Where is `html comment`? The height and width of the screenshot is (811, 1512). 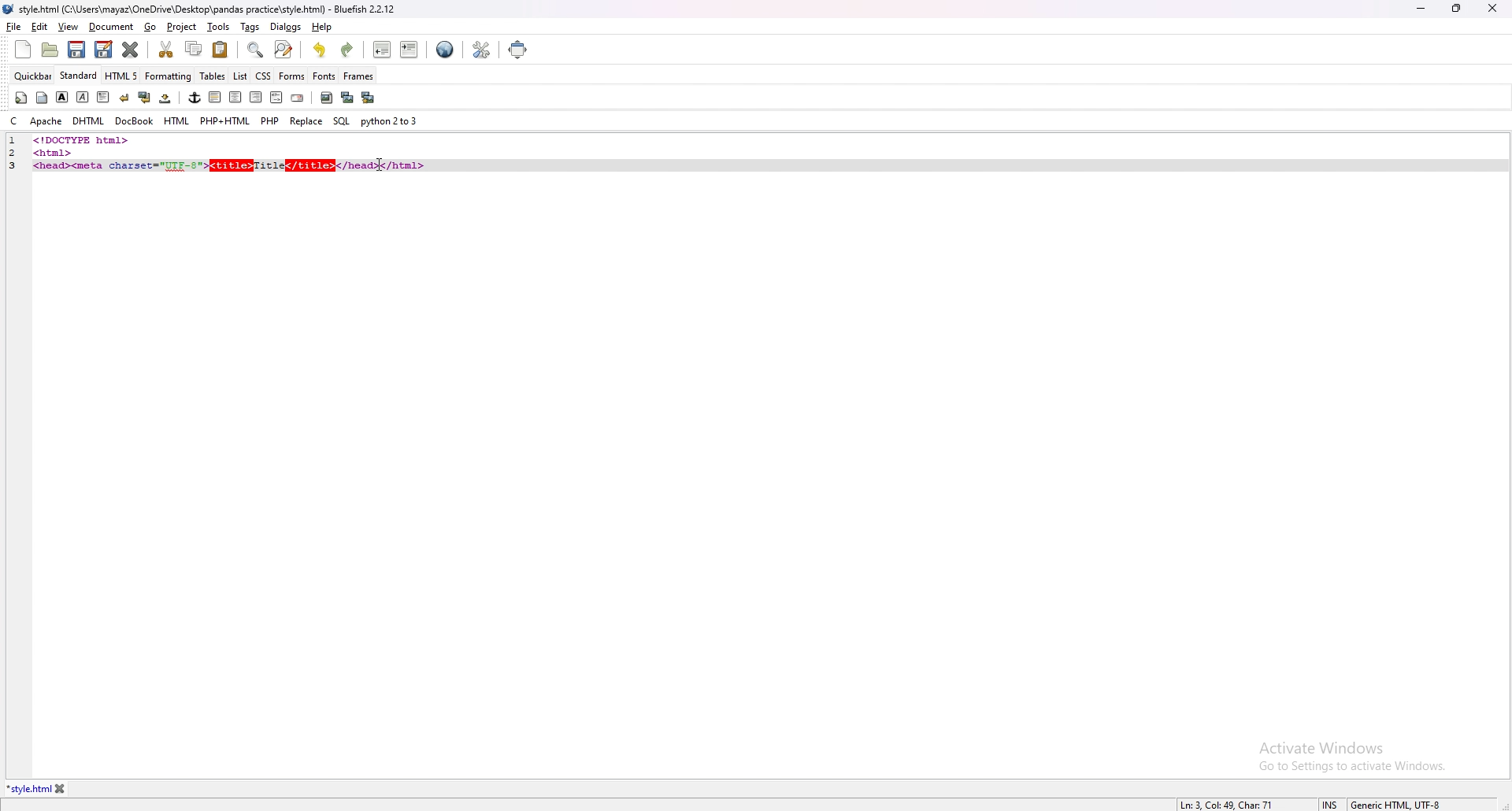
html comment is located at coordinates (276, 98).